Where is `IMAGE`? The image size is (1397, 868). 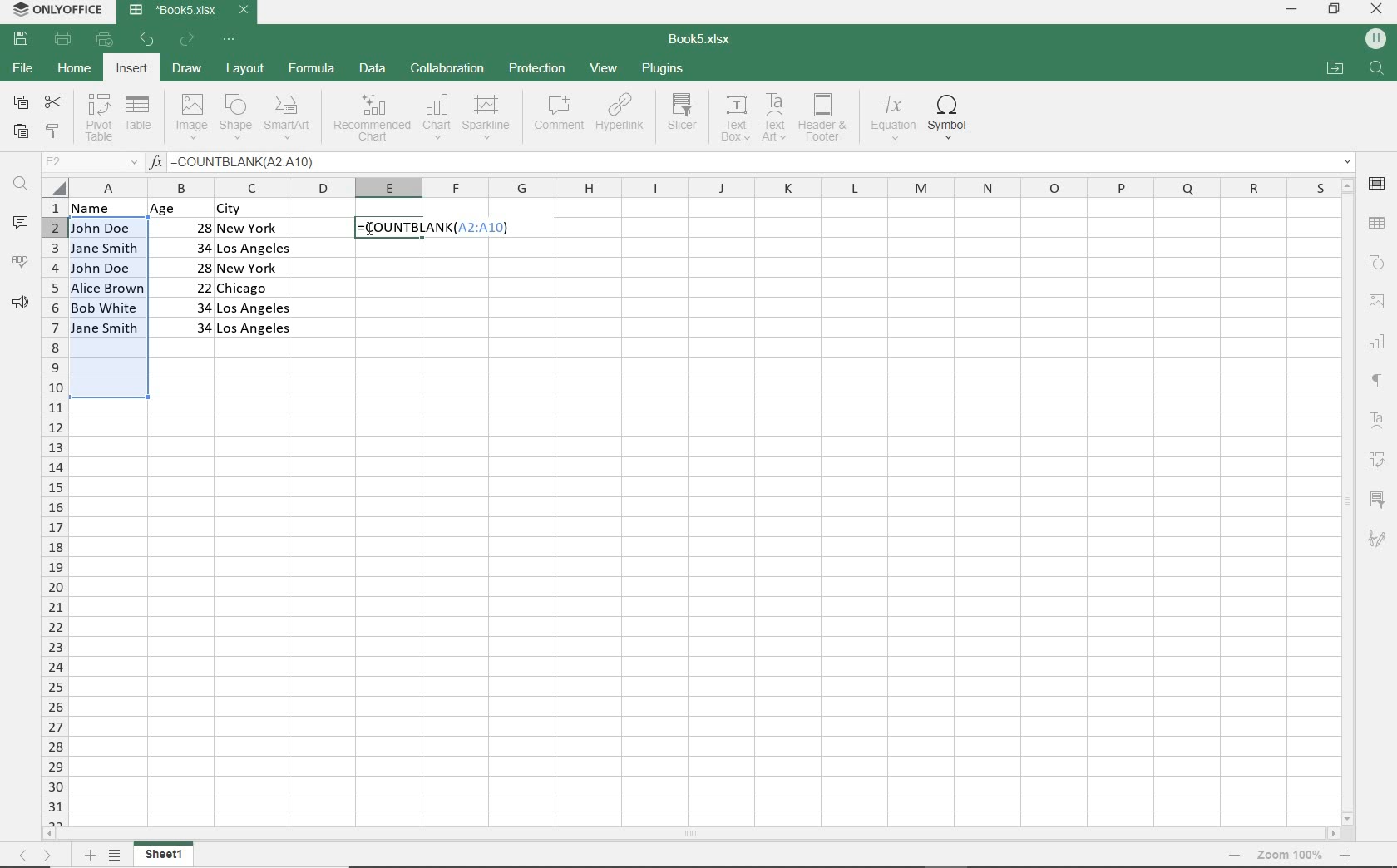
IMAGE is located at coordinates (189, 116).